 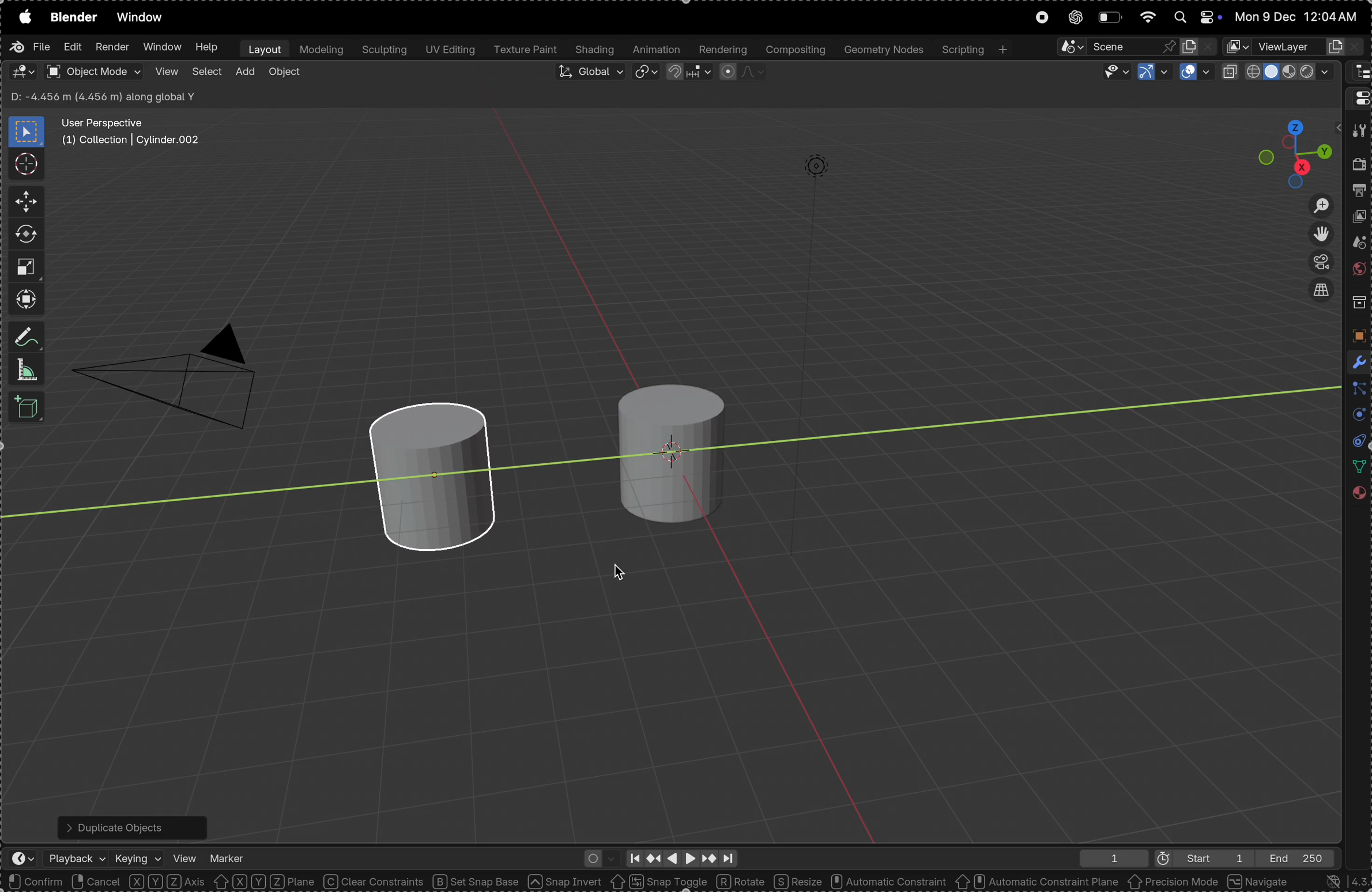 I want to click on composting, so click(x=794, y=50).